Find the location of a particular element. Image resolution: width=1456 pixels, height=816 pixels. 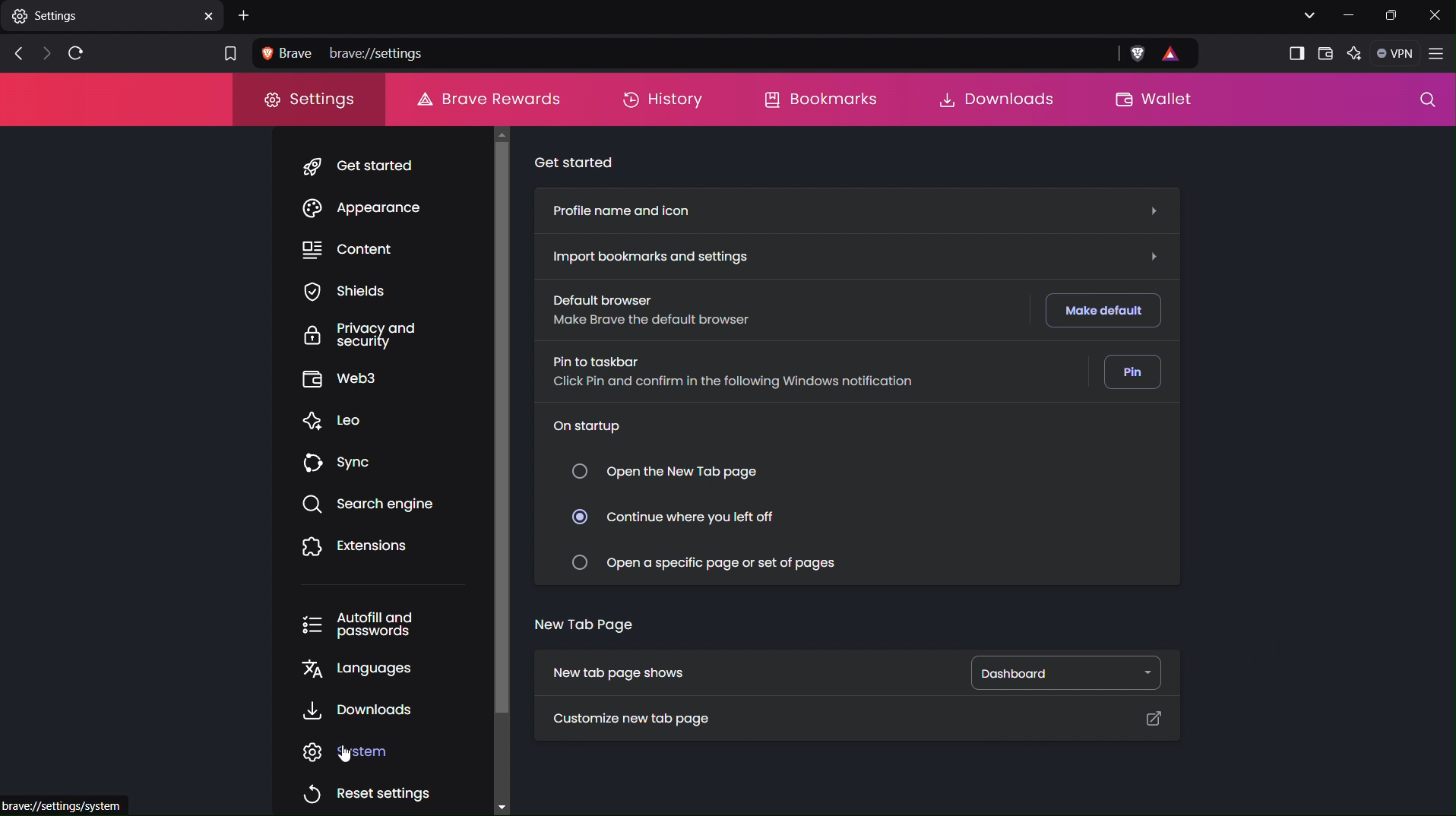

Content is located at coordinates (358, 250).